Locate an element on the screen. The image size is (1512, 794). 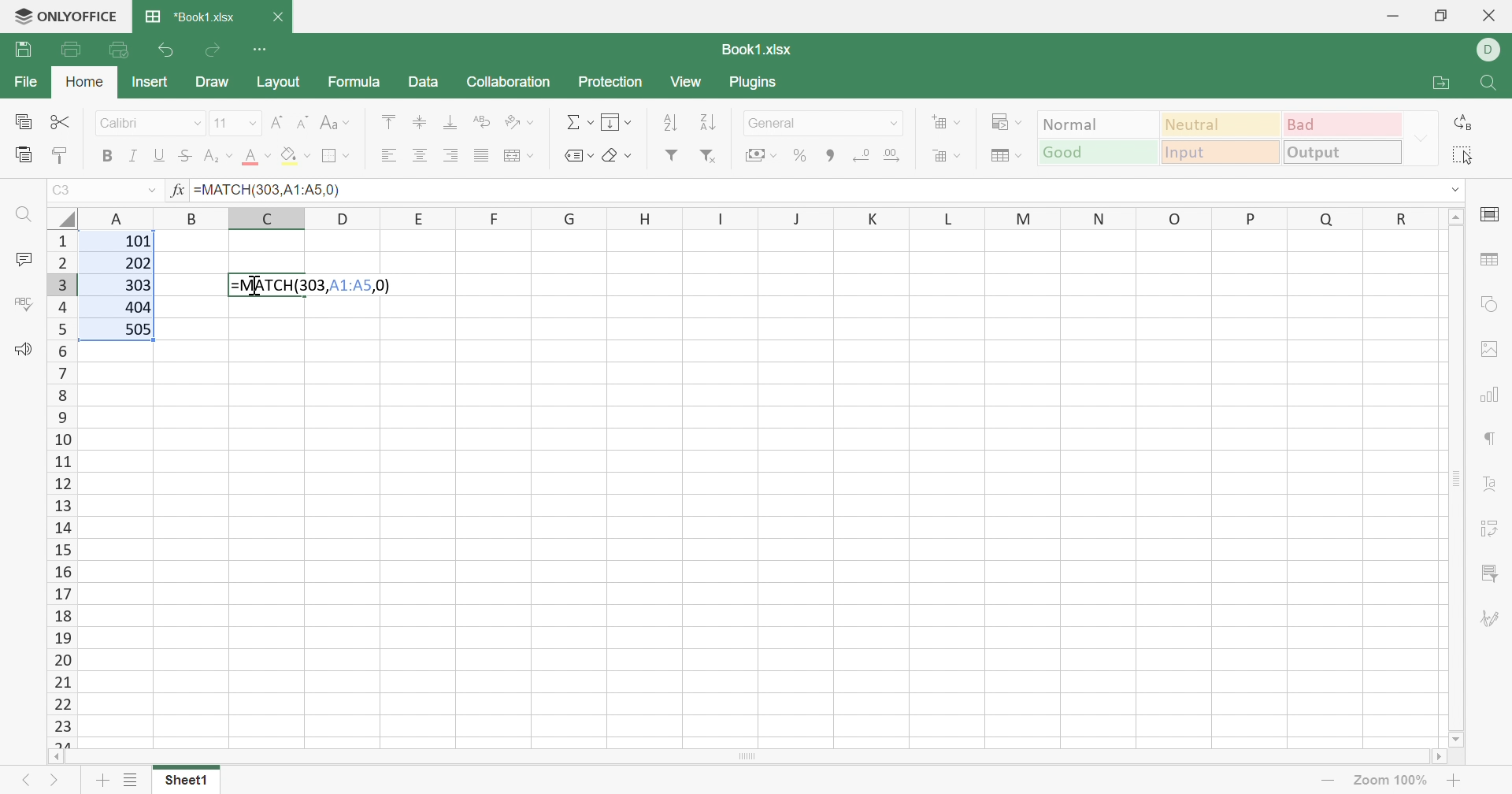
Copy is located at coordinates (24, 123).